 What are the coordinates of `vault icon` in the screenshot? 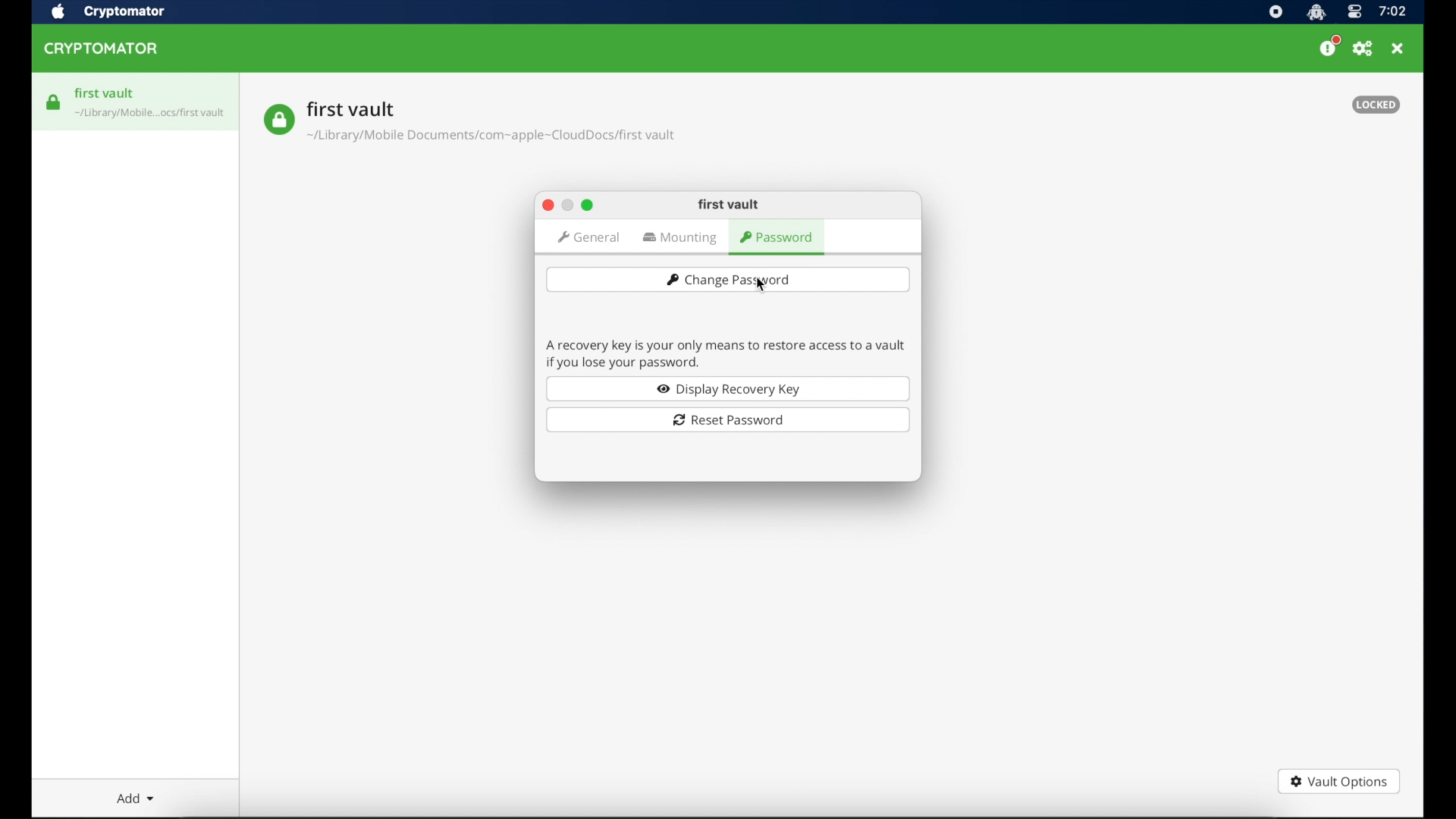 It's located at (151, 115).